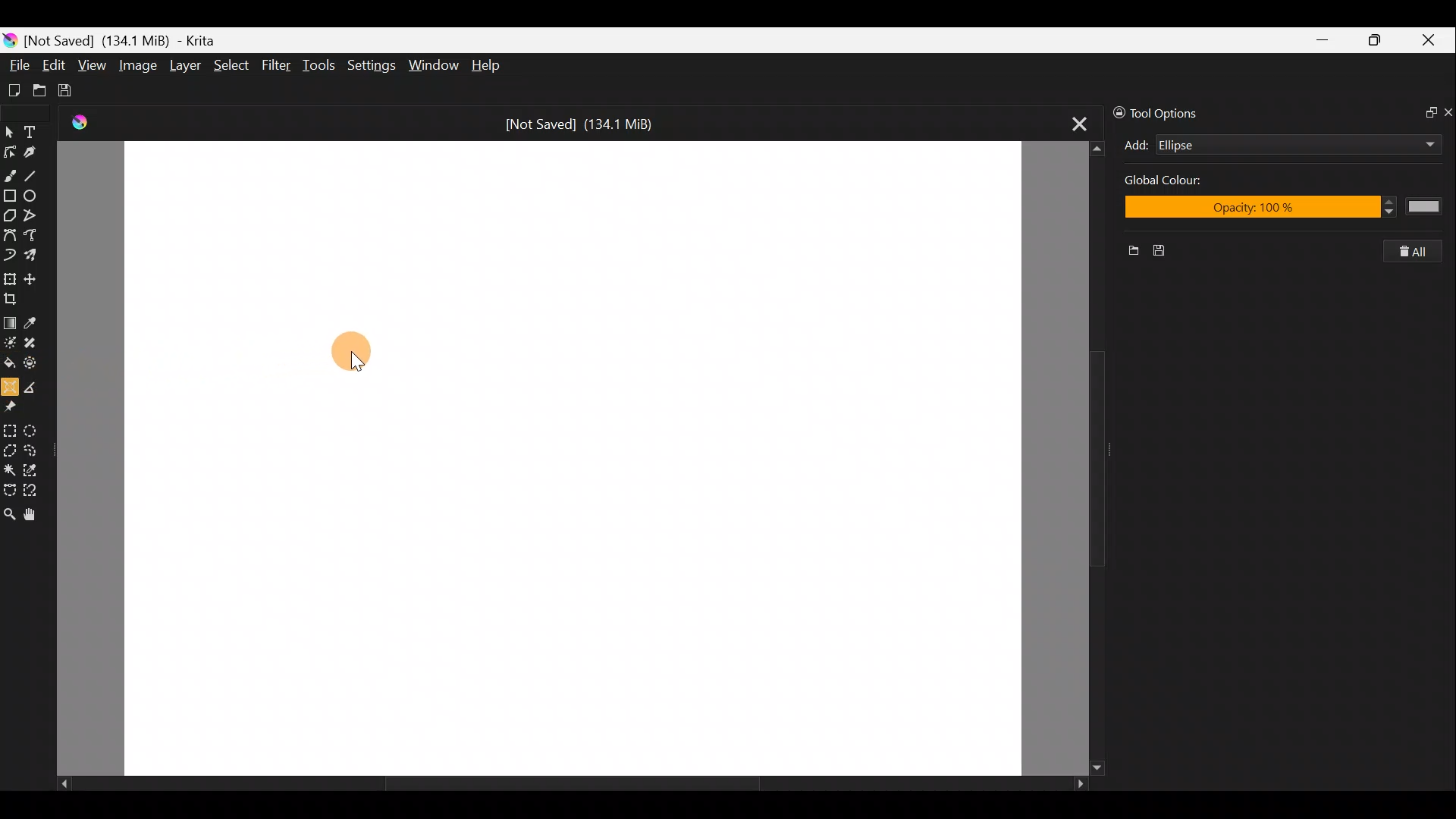 The height and width of the screenshot is (819, 1456). Describe the element at coordinates (74, 91) in the screenshot. I see `Save` at that location.